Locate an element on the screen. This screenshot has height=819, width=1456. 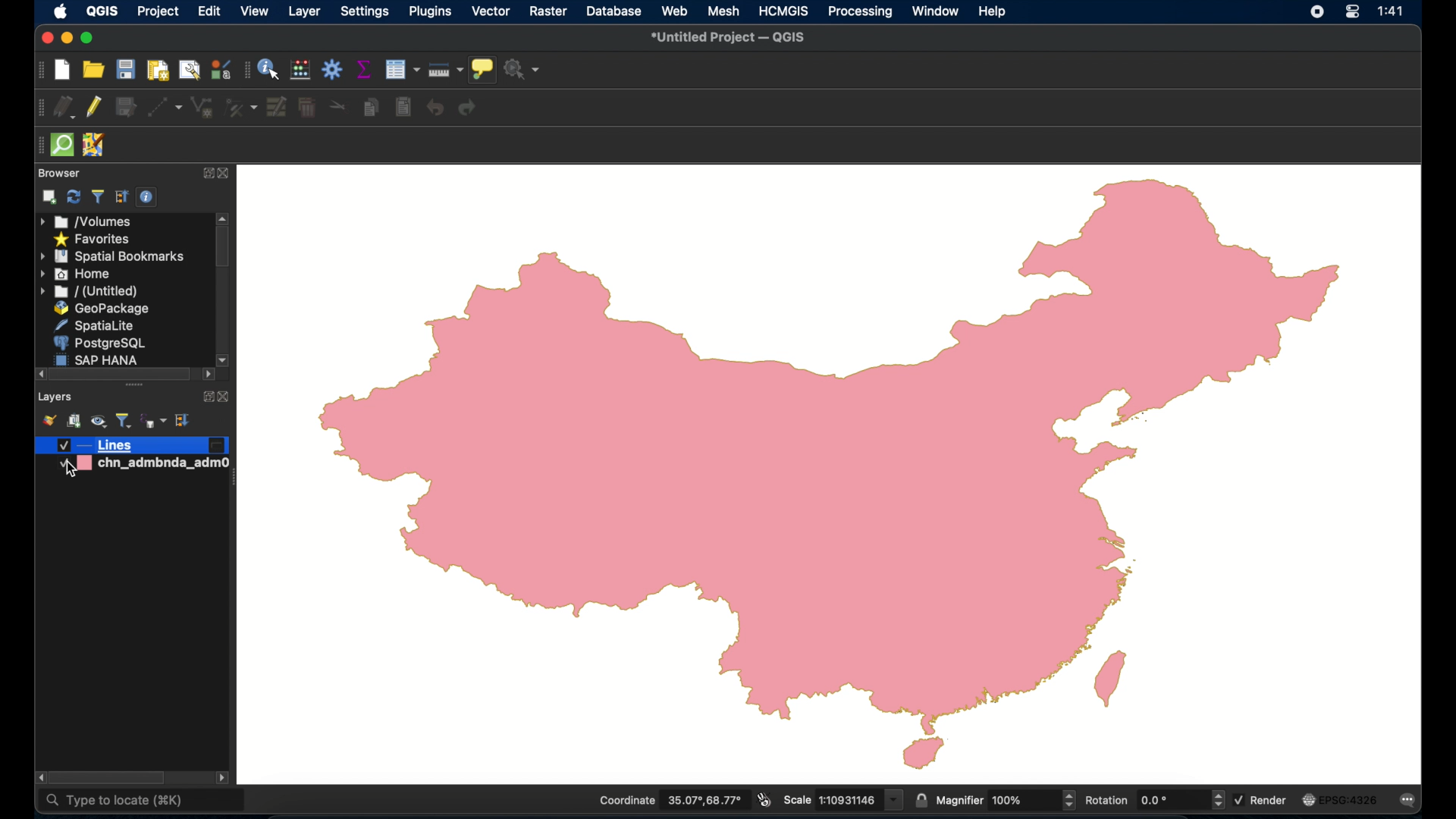
scroll box is located at coordinates (107, 777).